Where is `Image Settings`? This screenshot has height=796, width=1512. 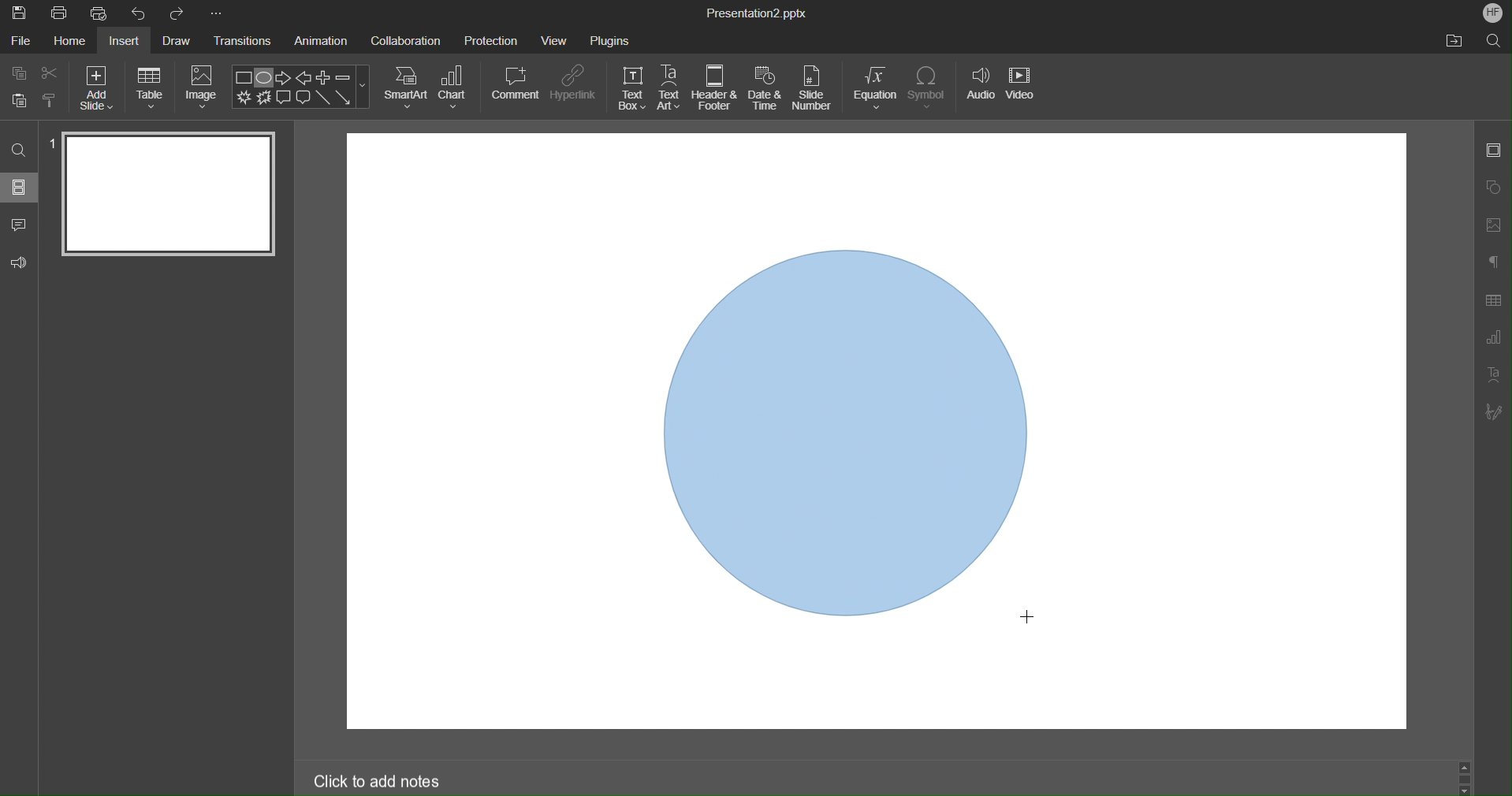
Image Settings is located at coordinates (1495, 223).